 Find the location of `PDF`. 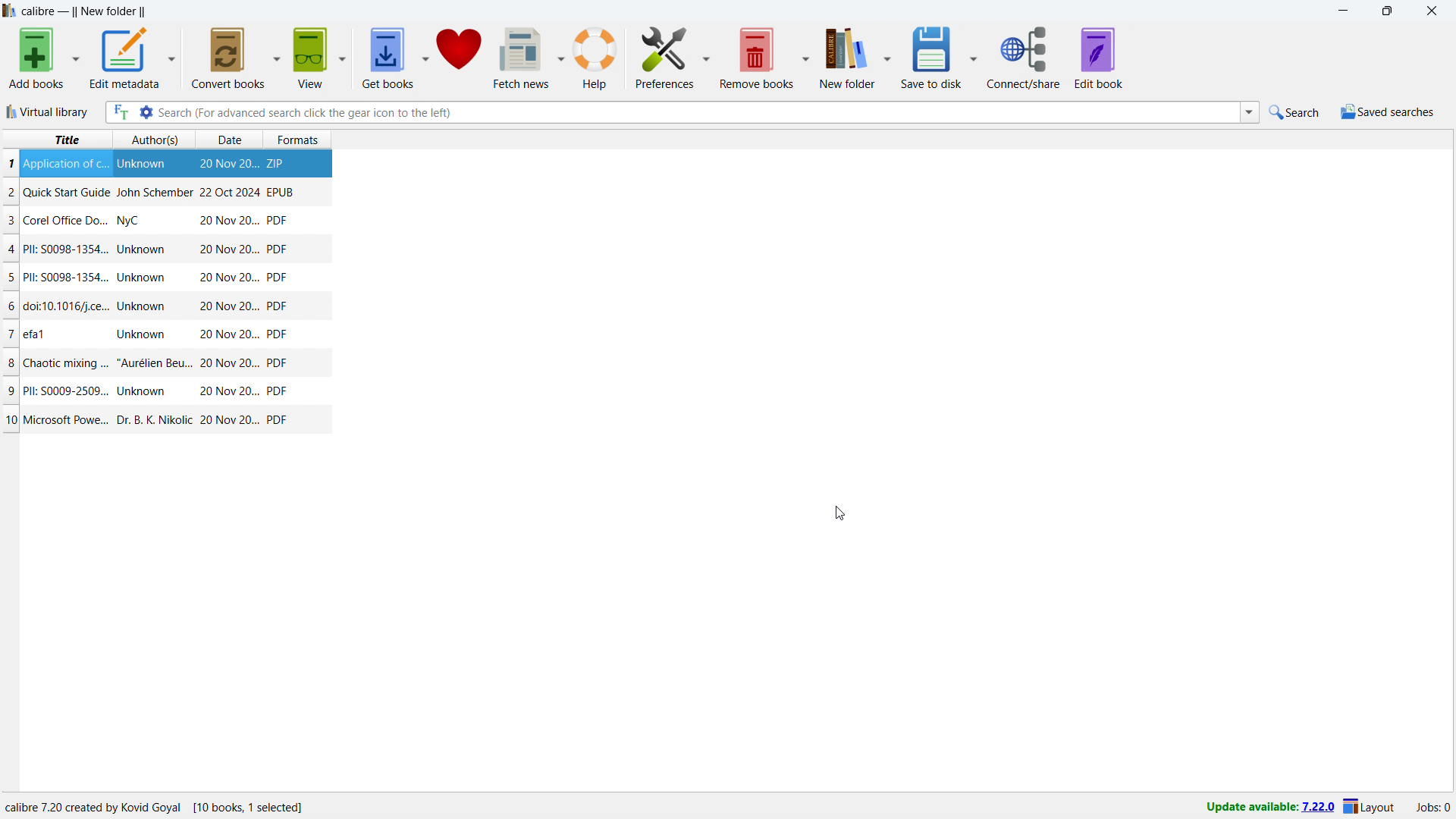

PDF is located at coordinates (278, 248).